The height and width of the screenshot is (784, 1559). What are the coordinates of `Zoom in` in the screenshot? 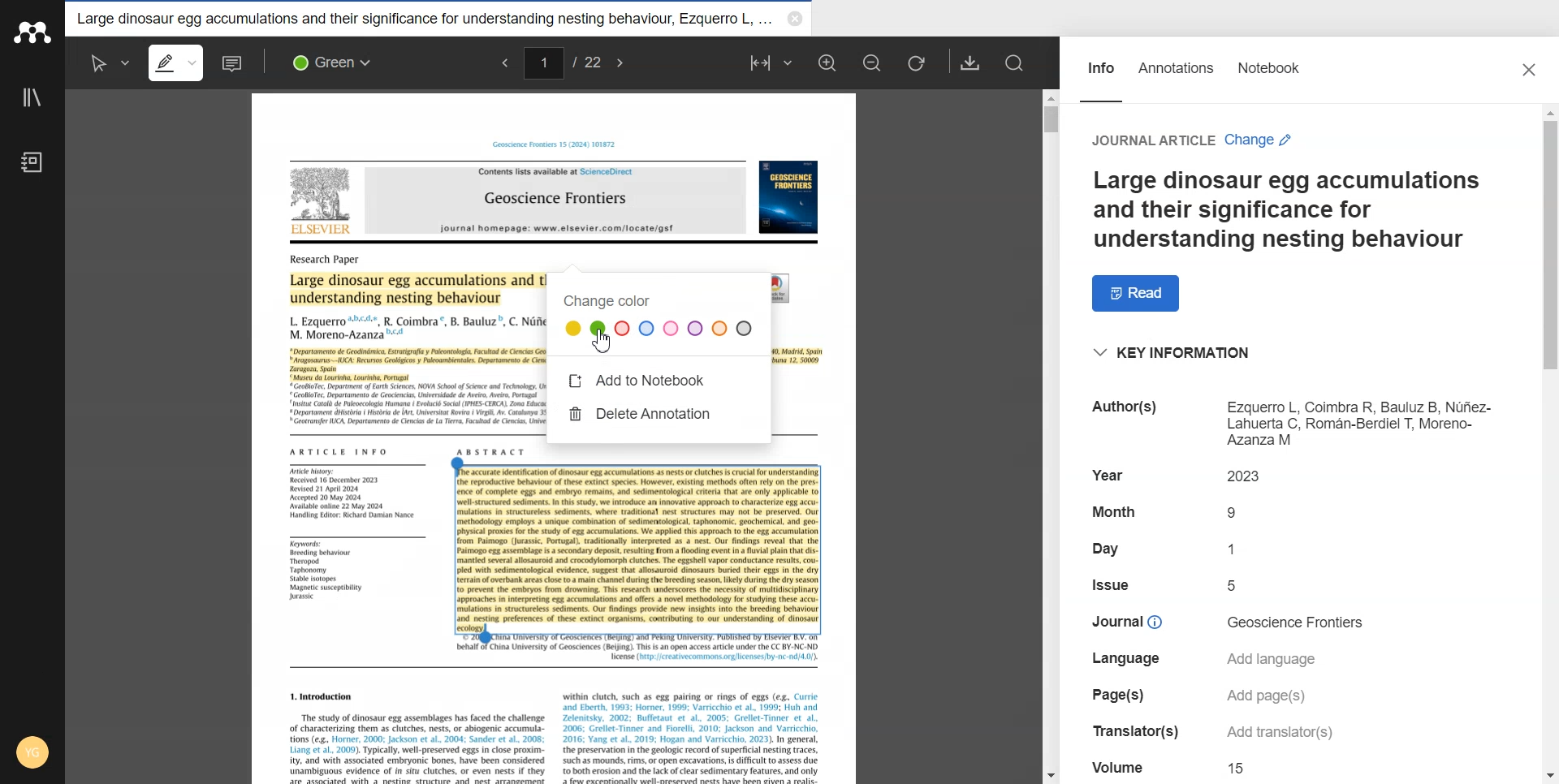 It's located at (829, 62).